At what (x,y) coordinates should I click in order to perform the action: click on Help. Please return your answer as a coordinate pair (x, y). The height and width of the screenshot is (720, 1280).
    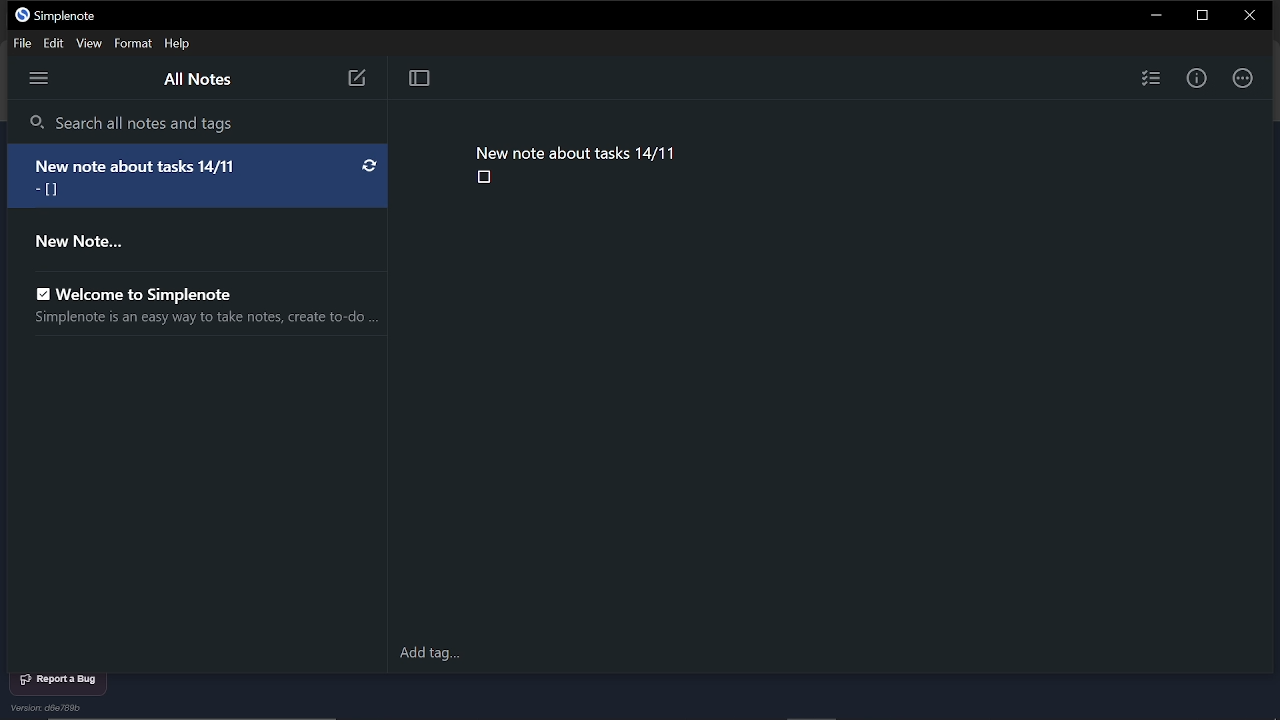
    Looking at the image, I should click on (180, 44).